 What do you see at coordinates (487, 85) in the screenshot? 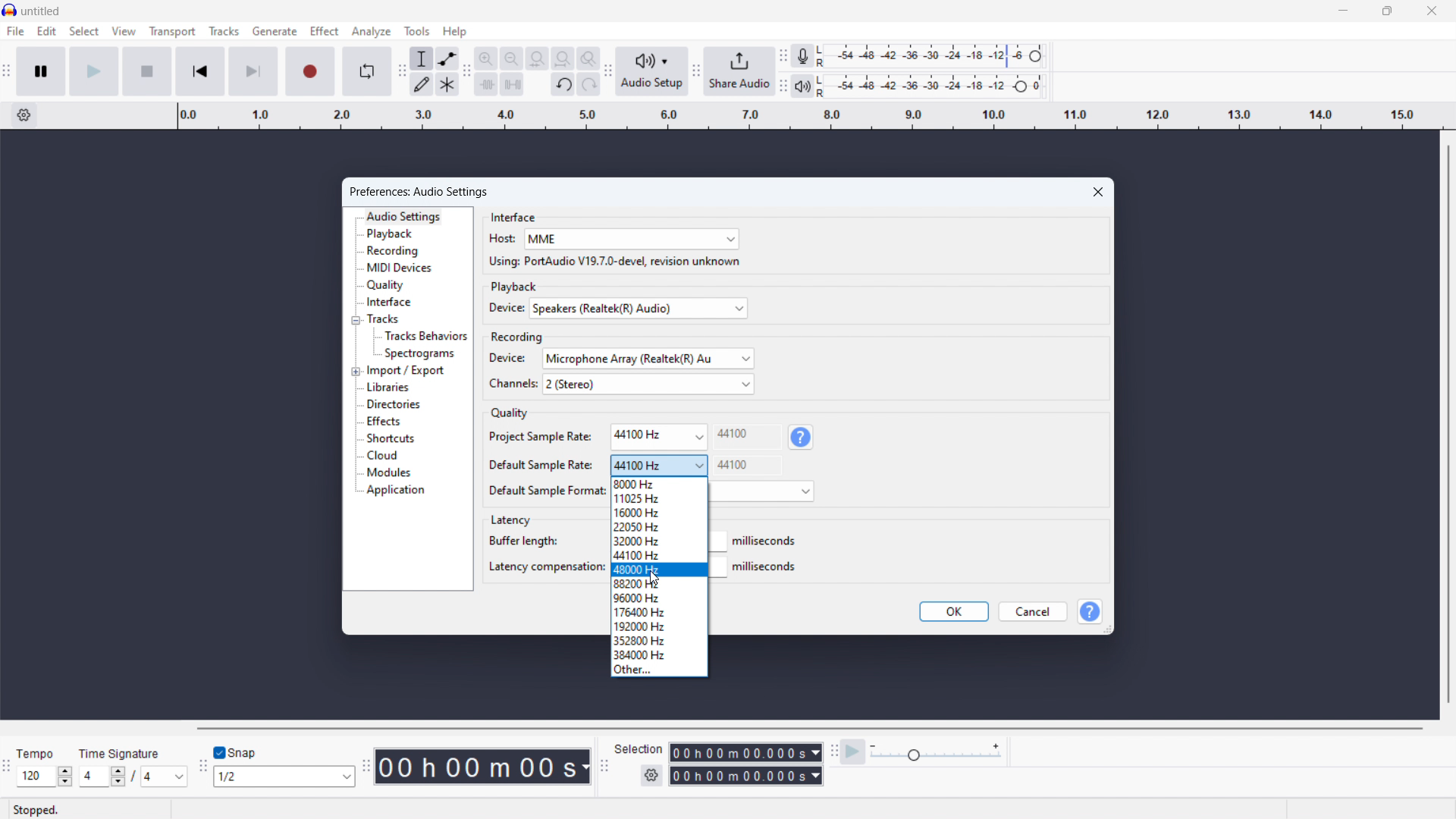
I see `trim audio outside selection` at bounding box center [487, 85].